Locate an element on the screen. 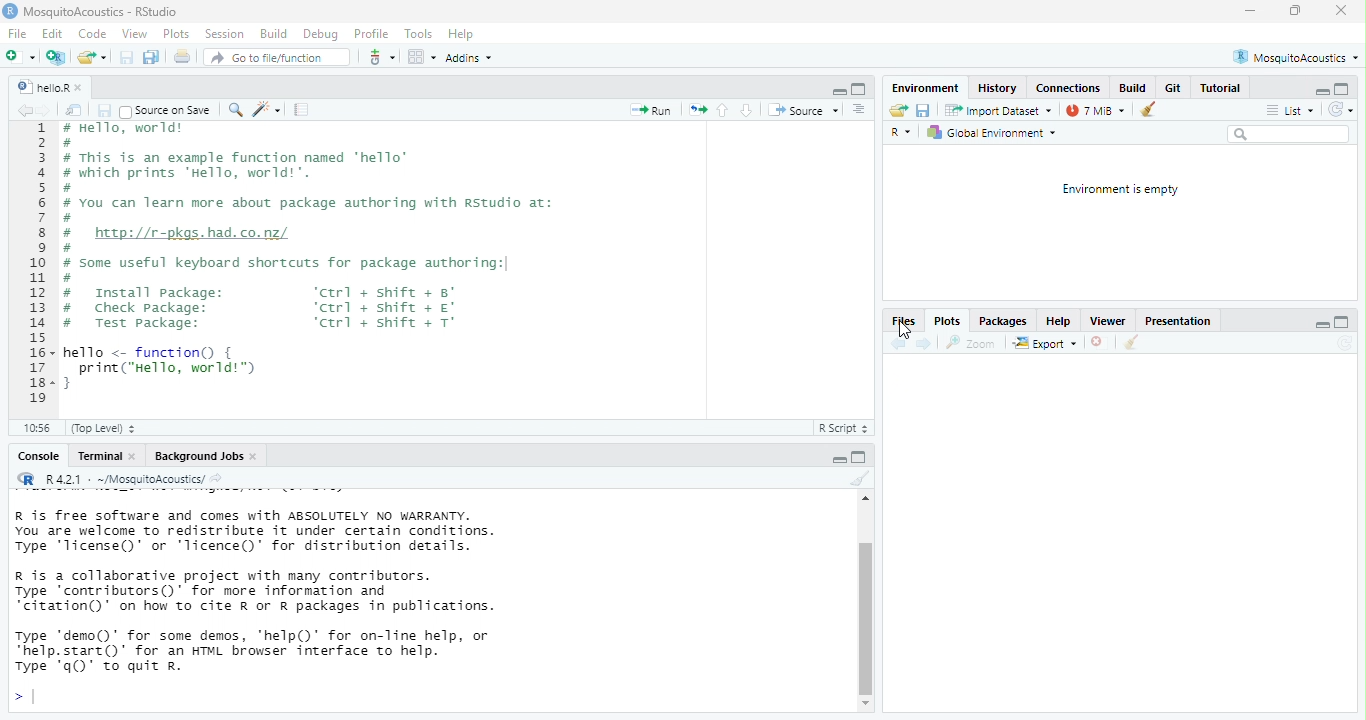 This screenshot has width=1366, height=720.  History is located at coordinates (1001, 88).